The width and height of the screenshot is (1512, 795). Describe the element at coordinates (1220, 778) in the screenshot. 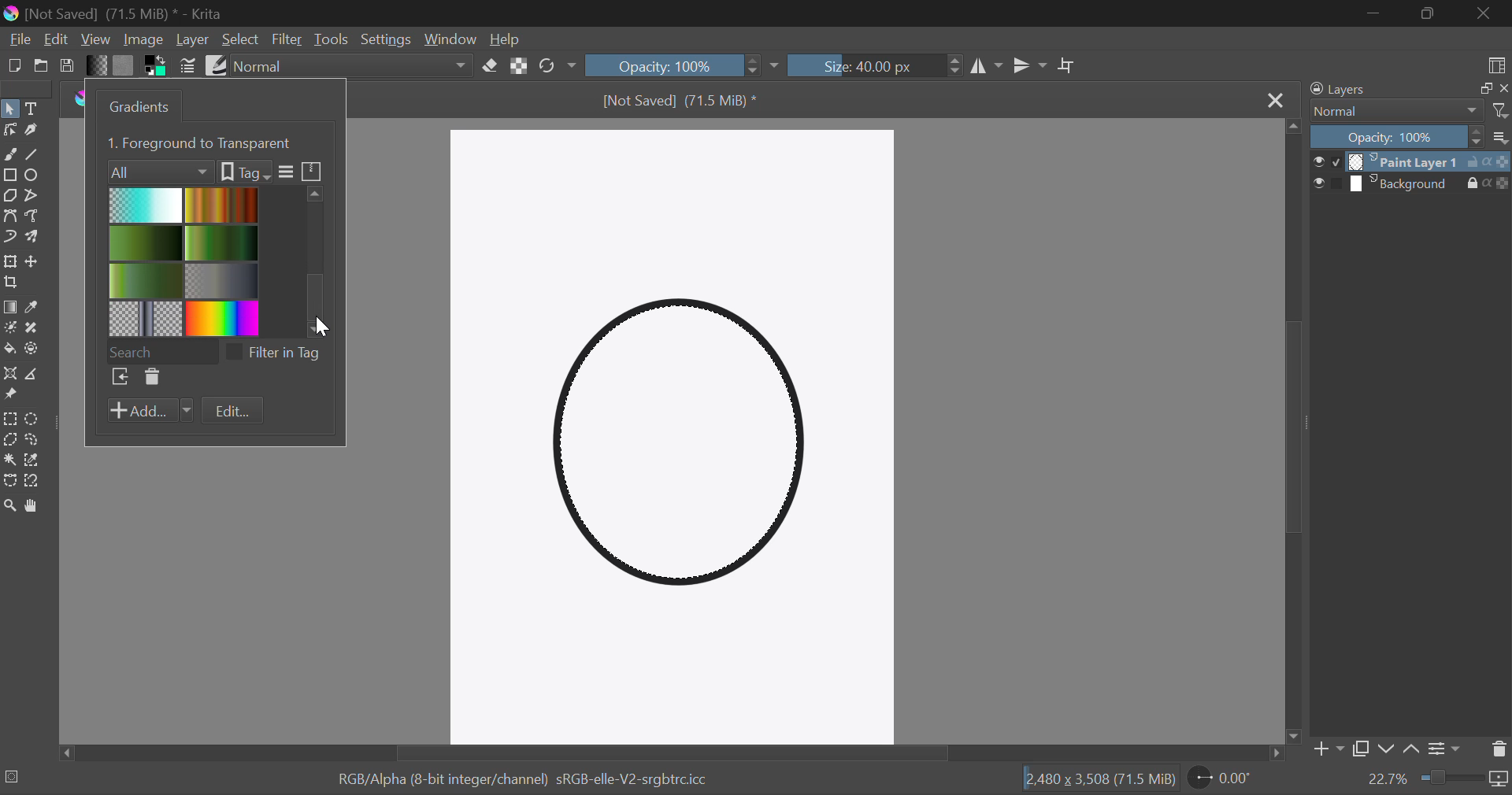

I see `Rotate Page ` at that location.